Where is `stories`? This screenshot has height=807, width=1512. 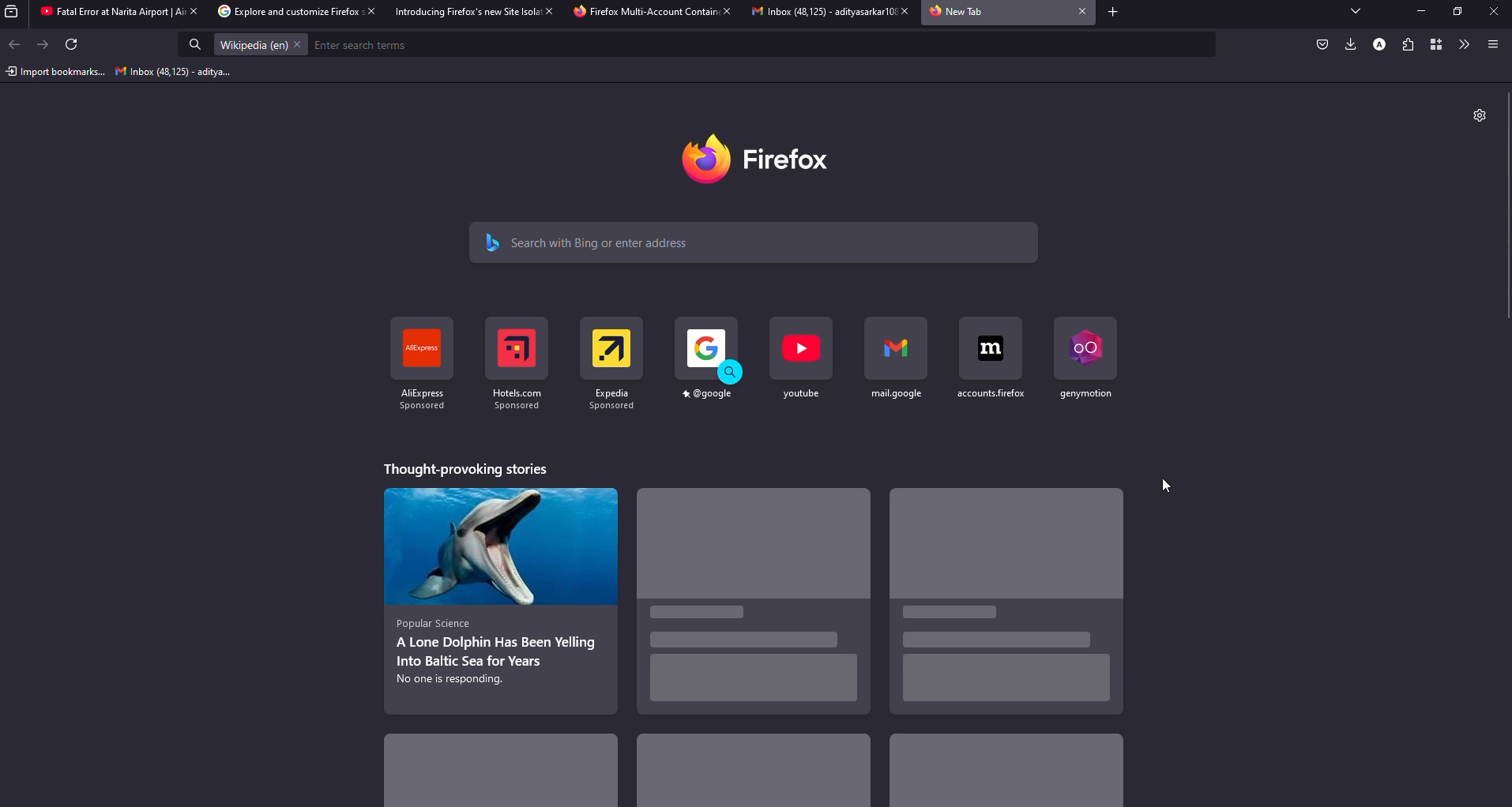
stories is located at coordinates (750, 607).